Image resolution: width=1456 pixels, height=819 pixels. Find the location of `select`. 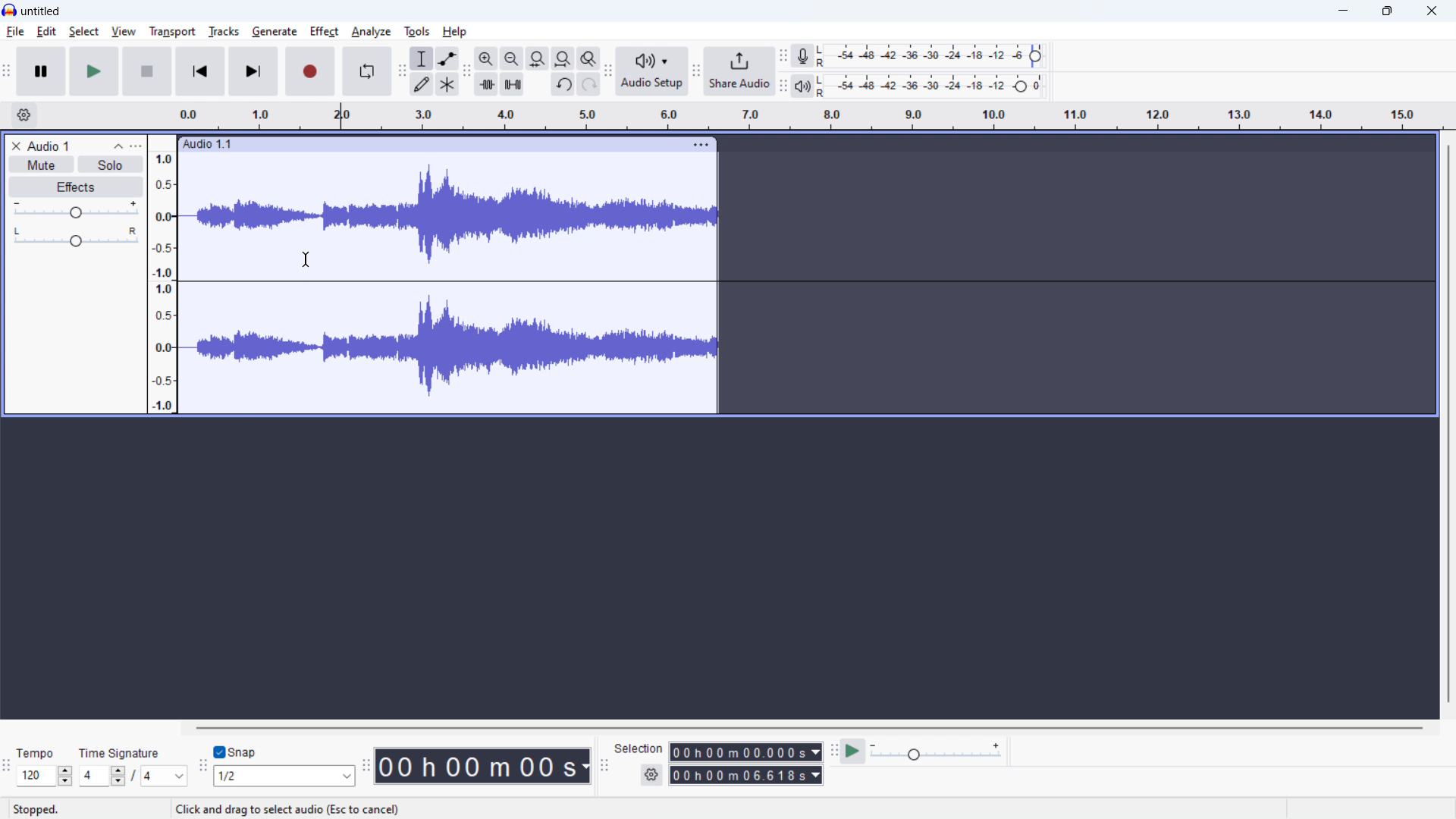

select is located at coordinates (84, 31).